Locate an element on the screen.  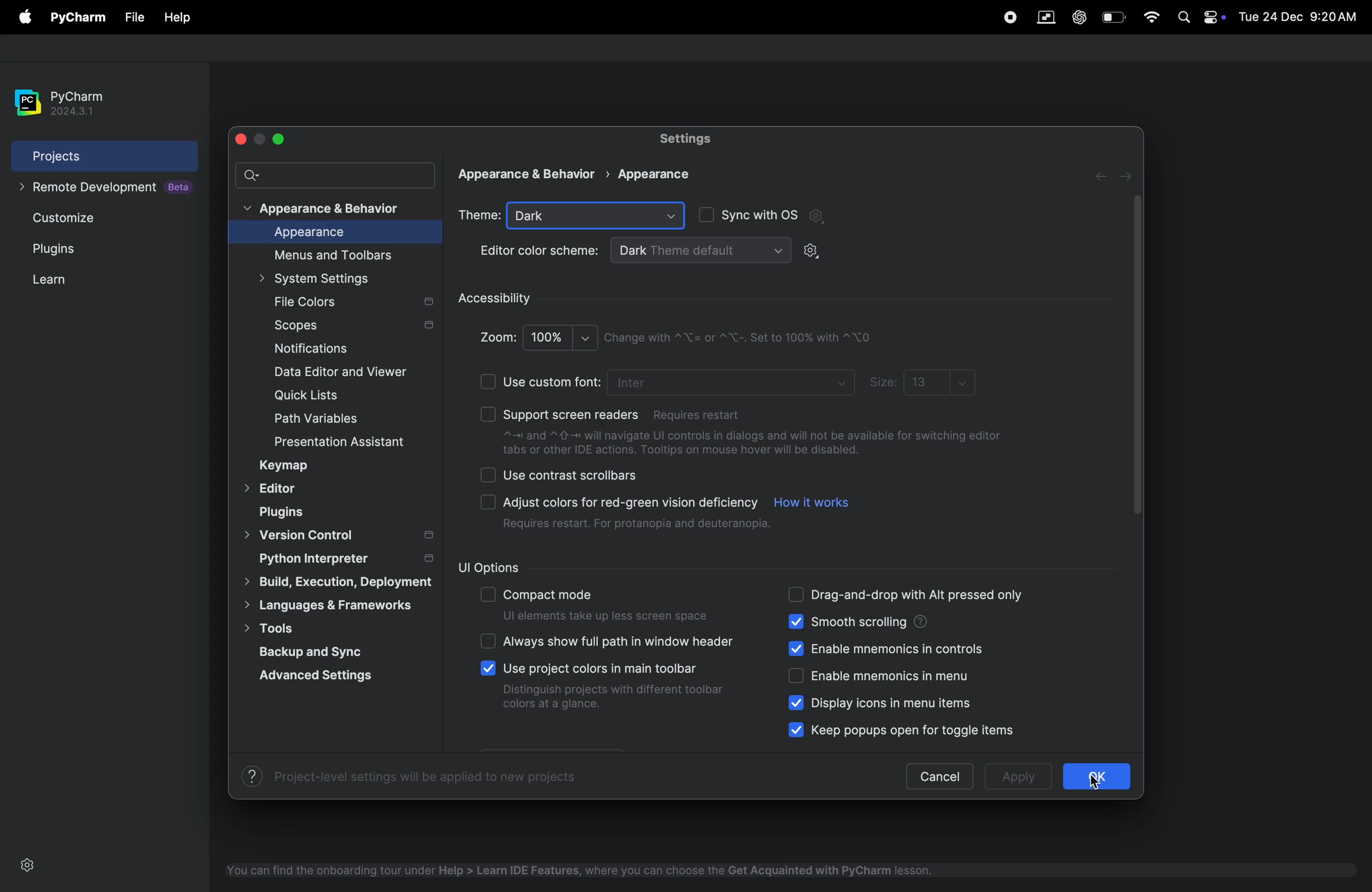
spotlight search is located at coordinates (1183, 18).